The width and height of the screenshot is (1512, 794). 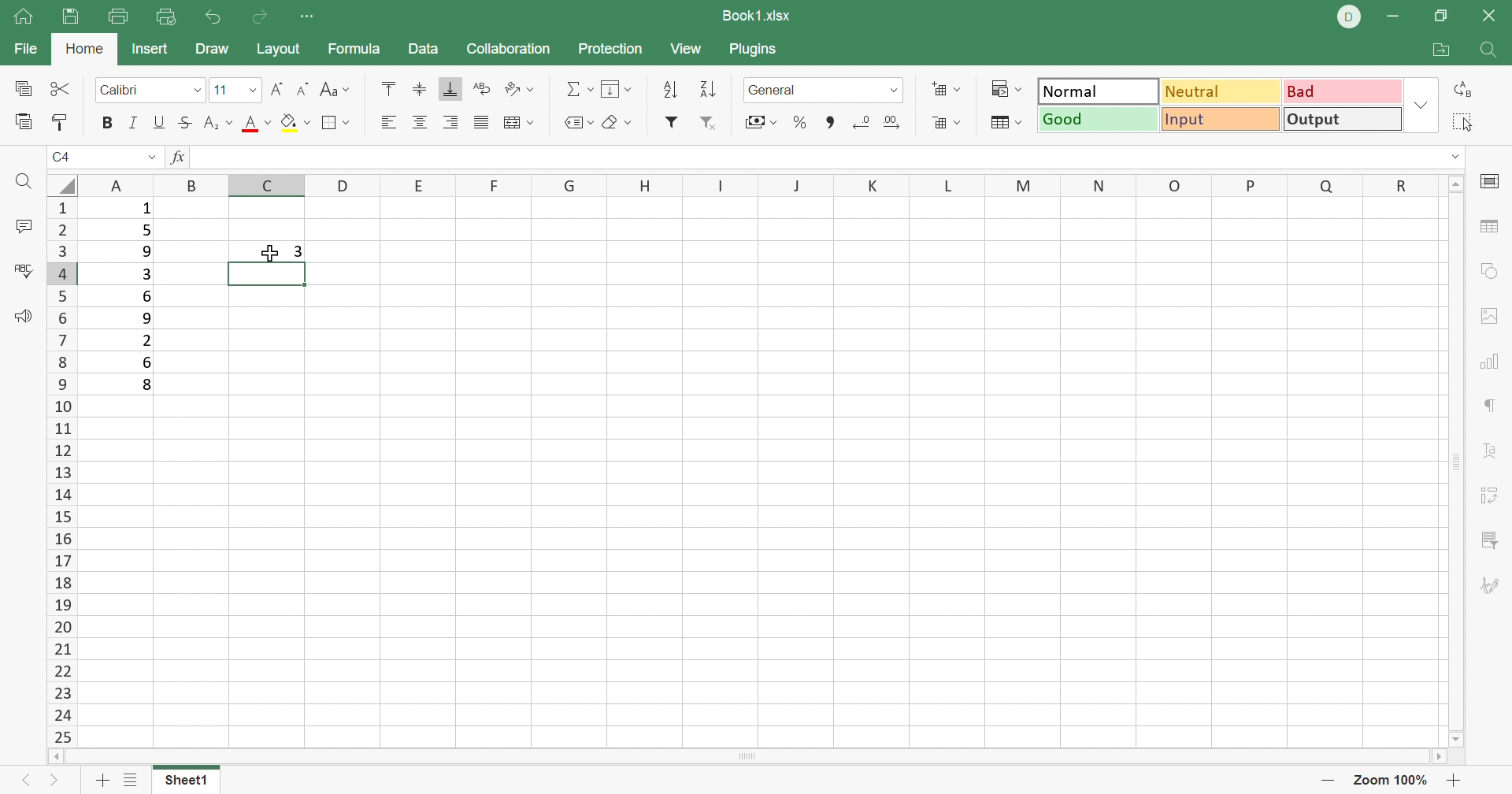 What do you see at coordinates (423, 46) in the screenshot?
I see `Data` at bounding box center [423, 46].